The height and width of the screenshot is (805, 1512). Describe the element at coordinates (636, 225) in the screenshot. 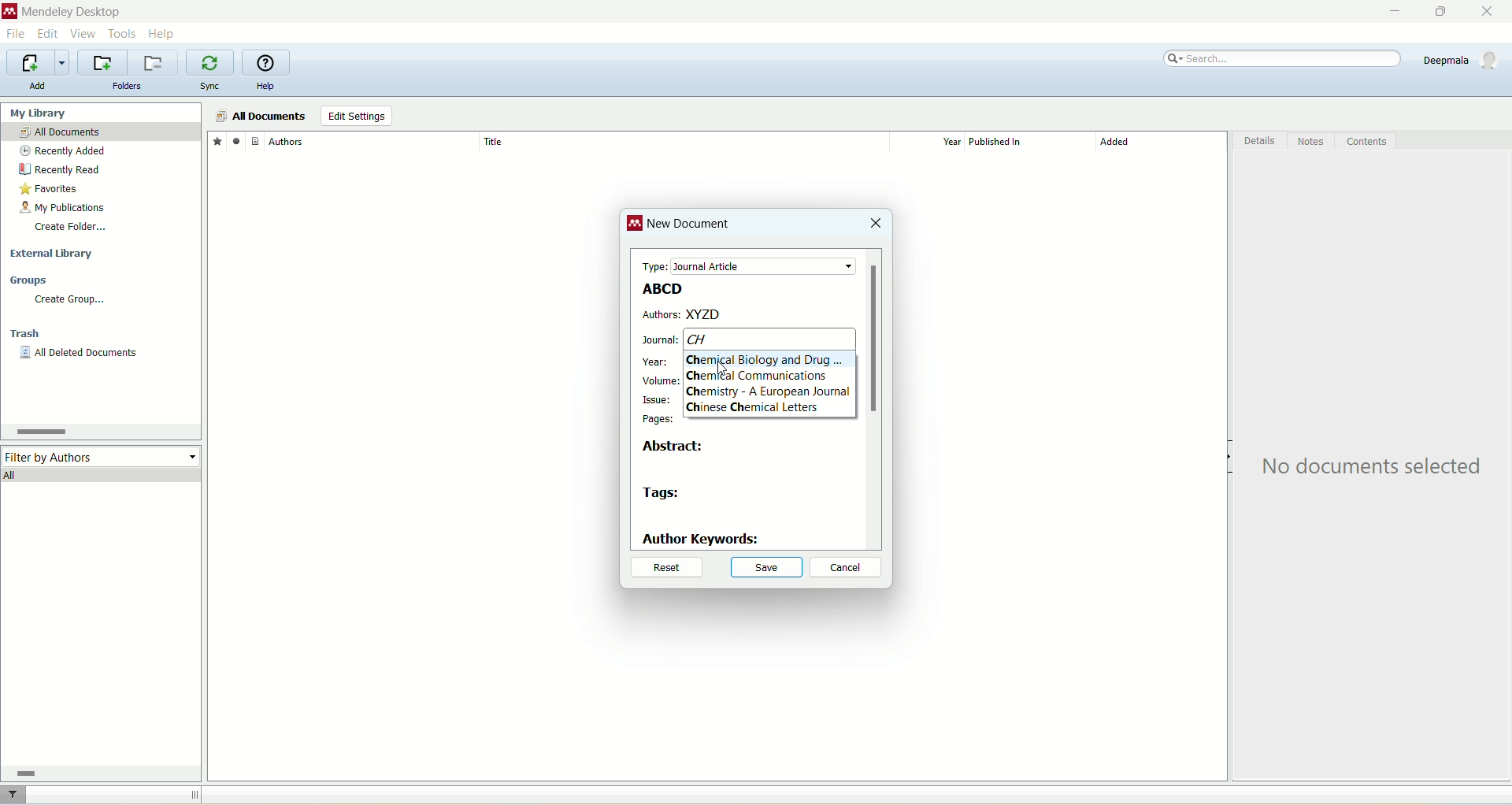

I see `logo` at that location.